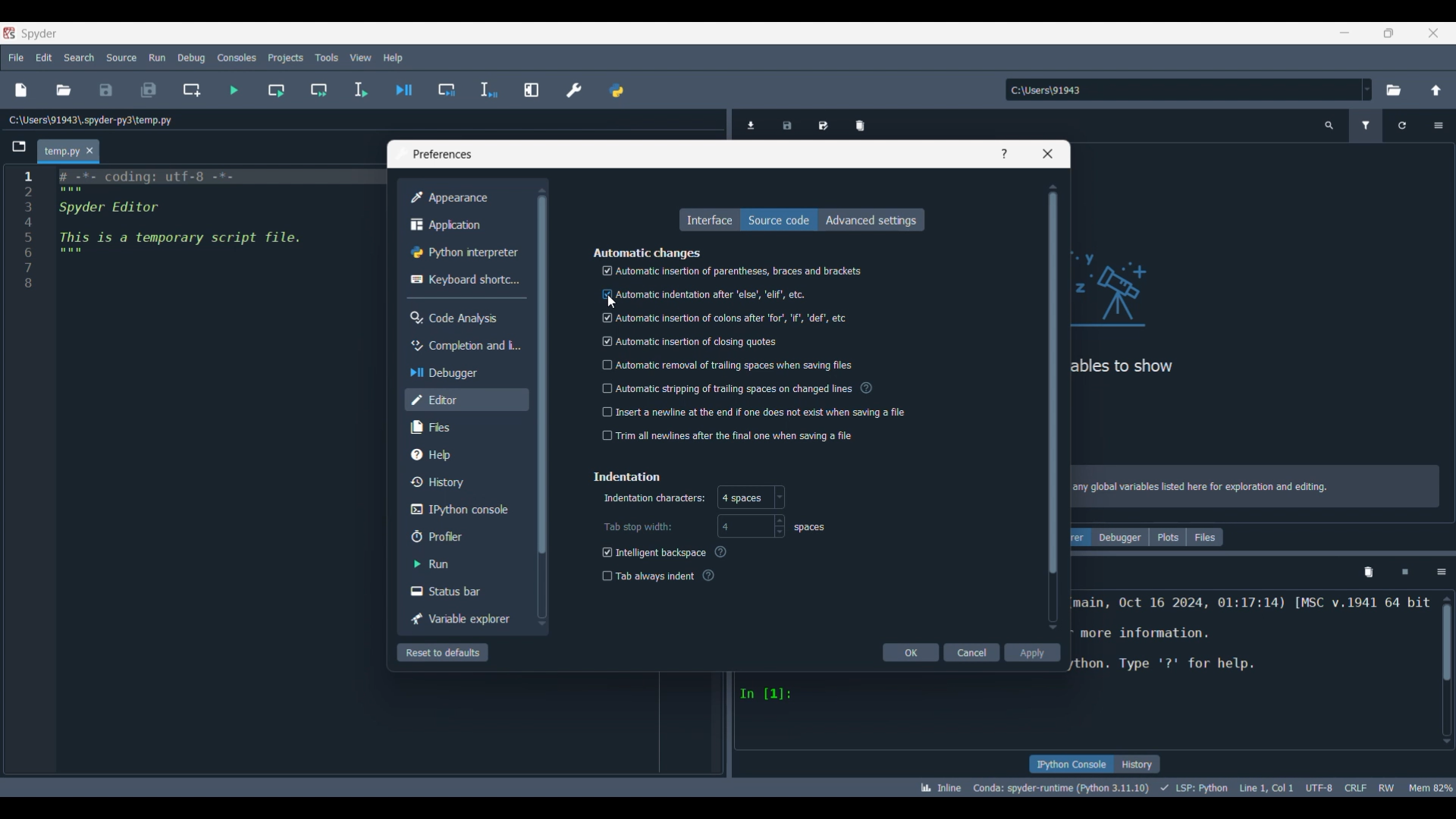  Describe the element at coordinates (441, 154) in the screenshot. I see `Window title` at that location.